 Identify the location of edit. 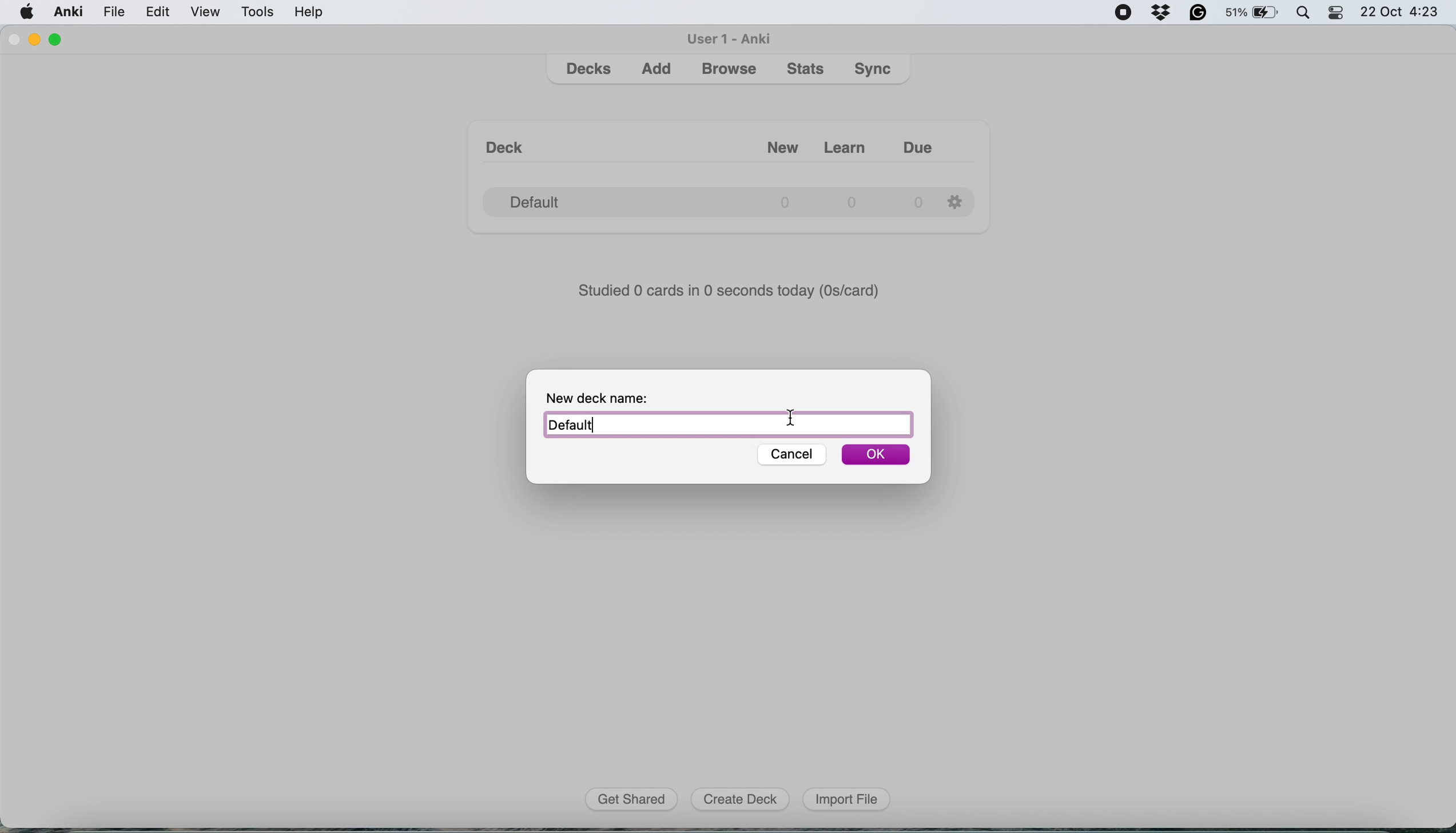
(159, 14).